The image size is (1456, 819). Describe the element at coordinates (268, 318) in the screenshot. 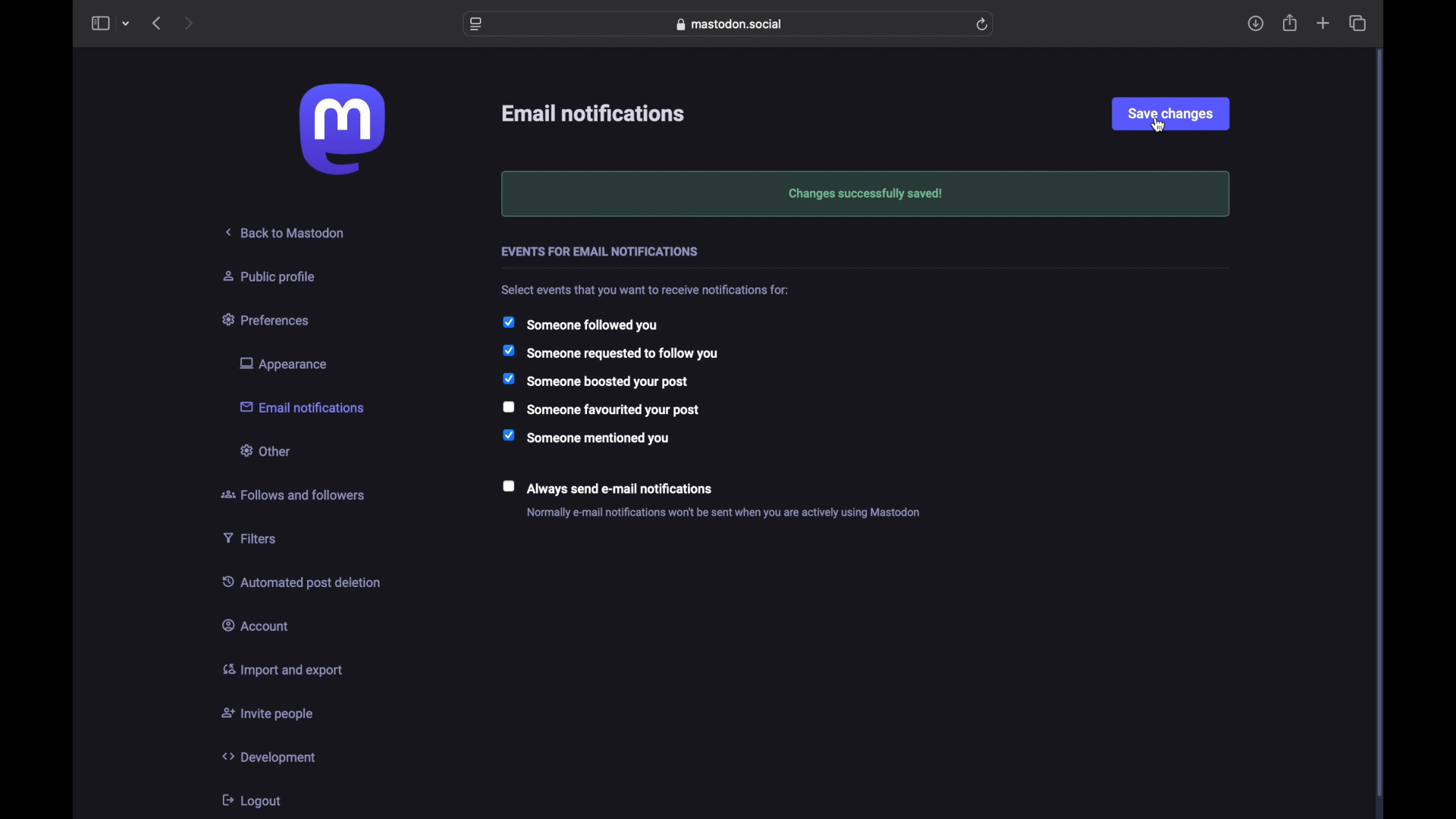

I see `preferences` at that location.